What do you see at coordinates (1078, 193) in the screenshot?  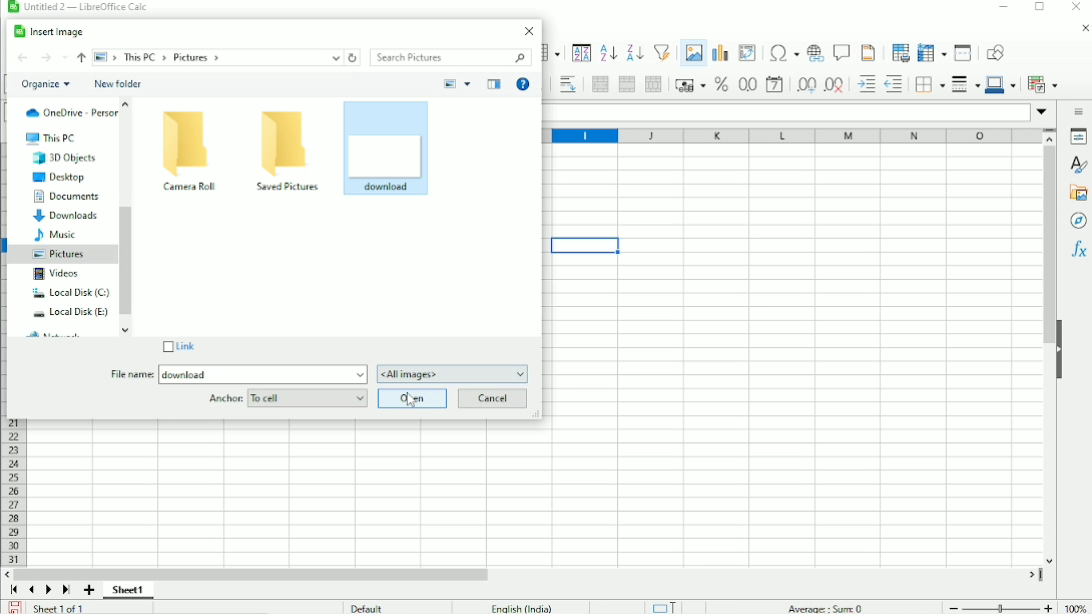 I see `Gallery` at bounding box center [1078, 193].